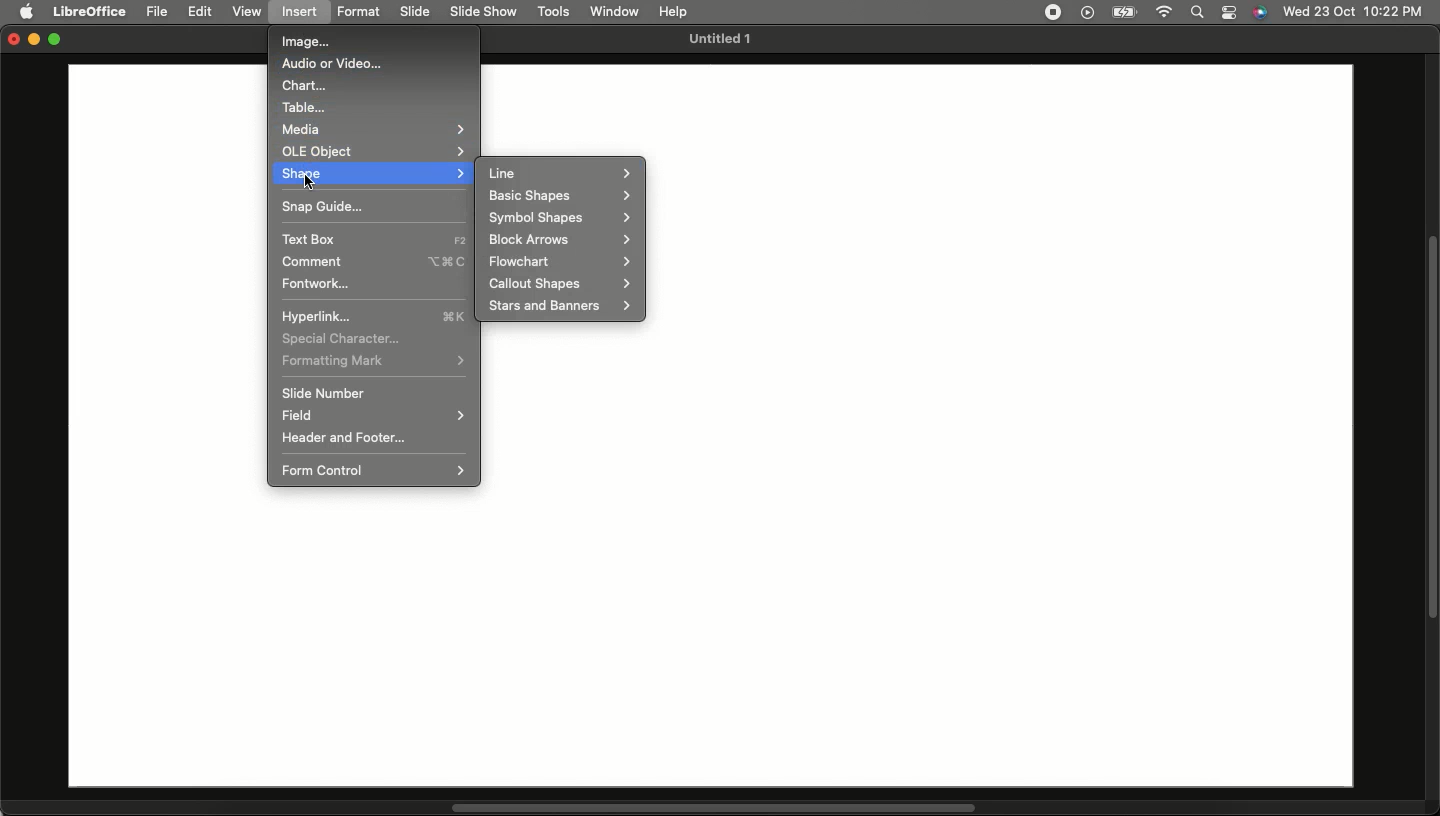  I want to click on Format, so click(363, 13).